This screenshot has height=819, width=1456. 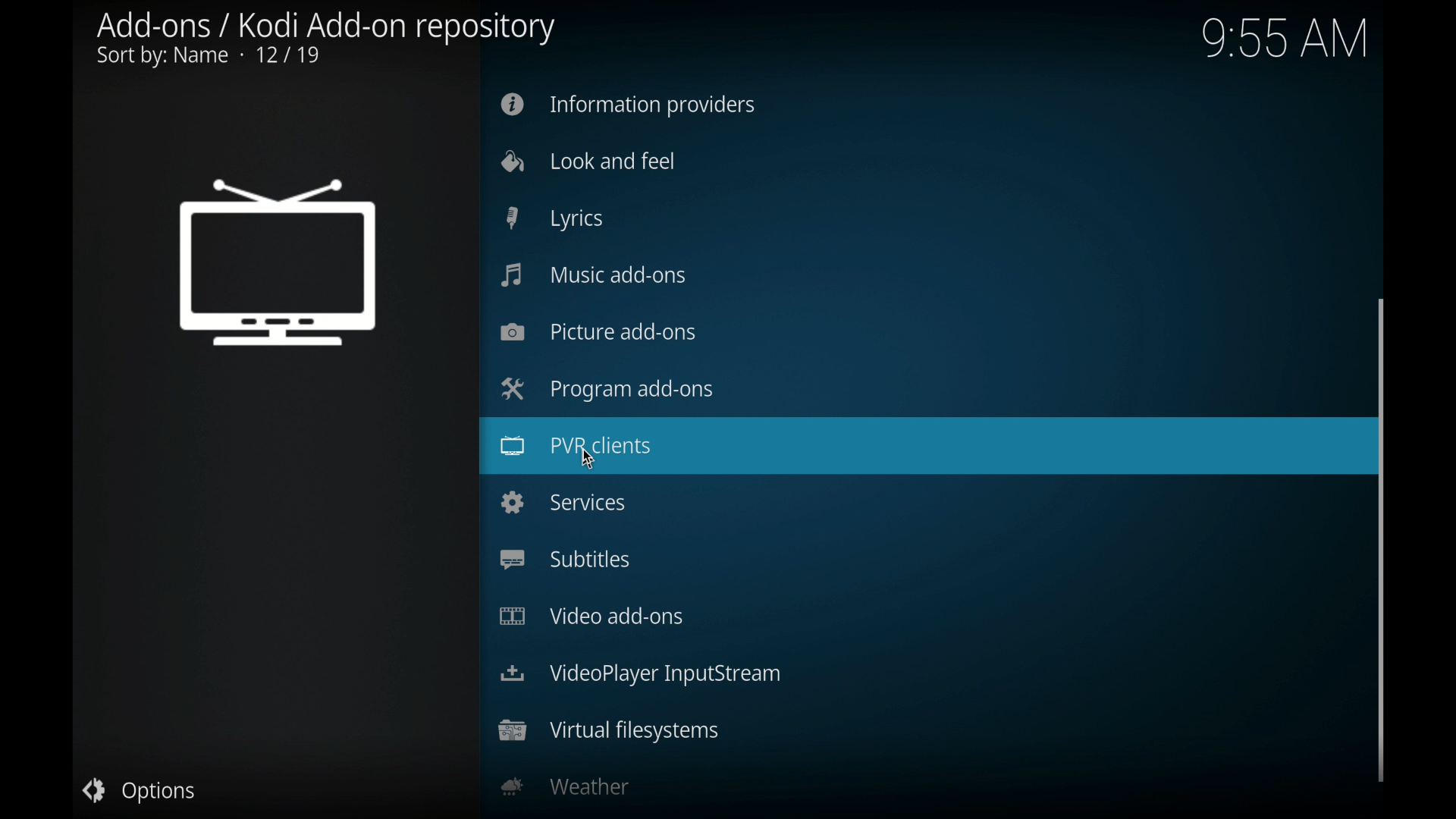 I want to click on weather, so click(x=568, y=786).